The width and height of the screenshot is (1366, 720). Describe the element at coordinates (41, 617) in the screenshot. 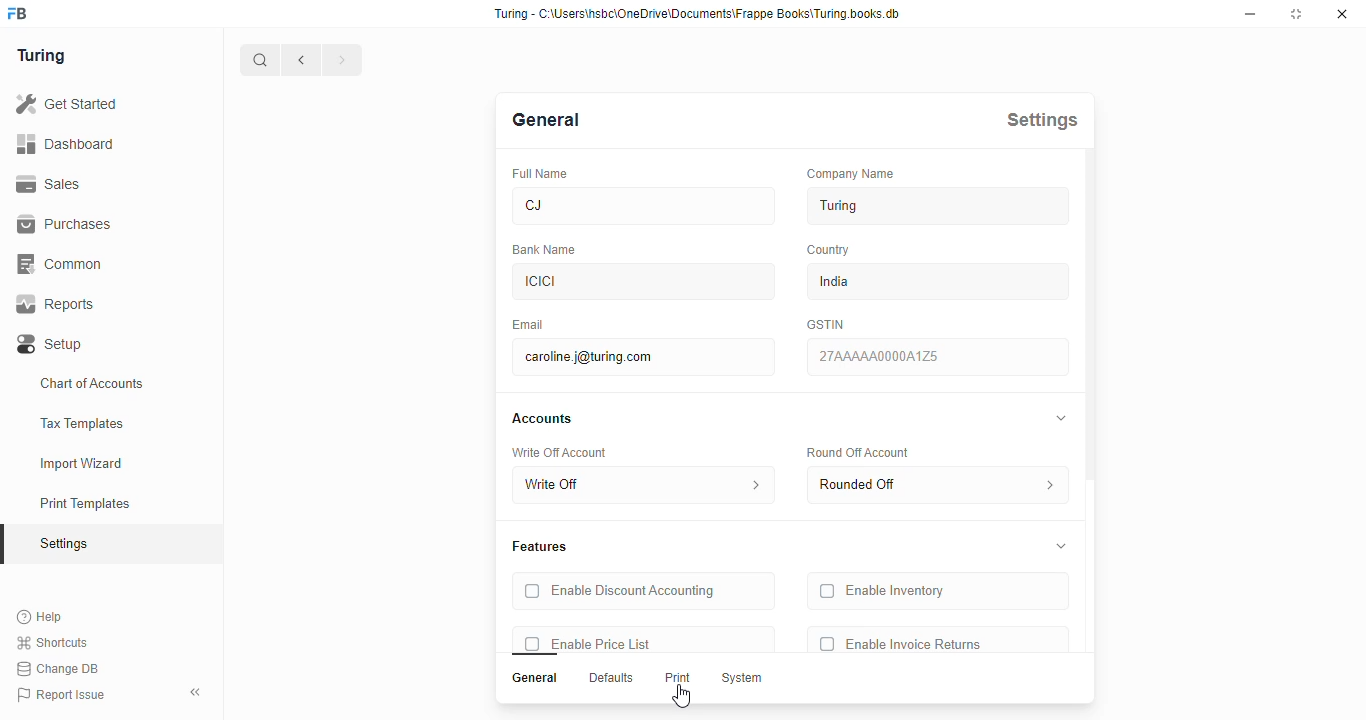

I see `help` at that location.